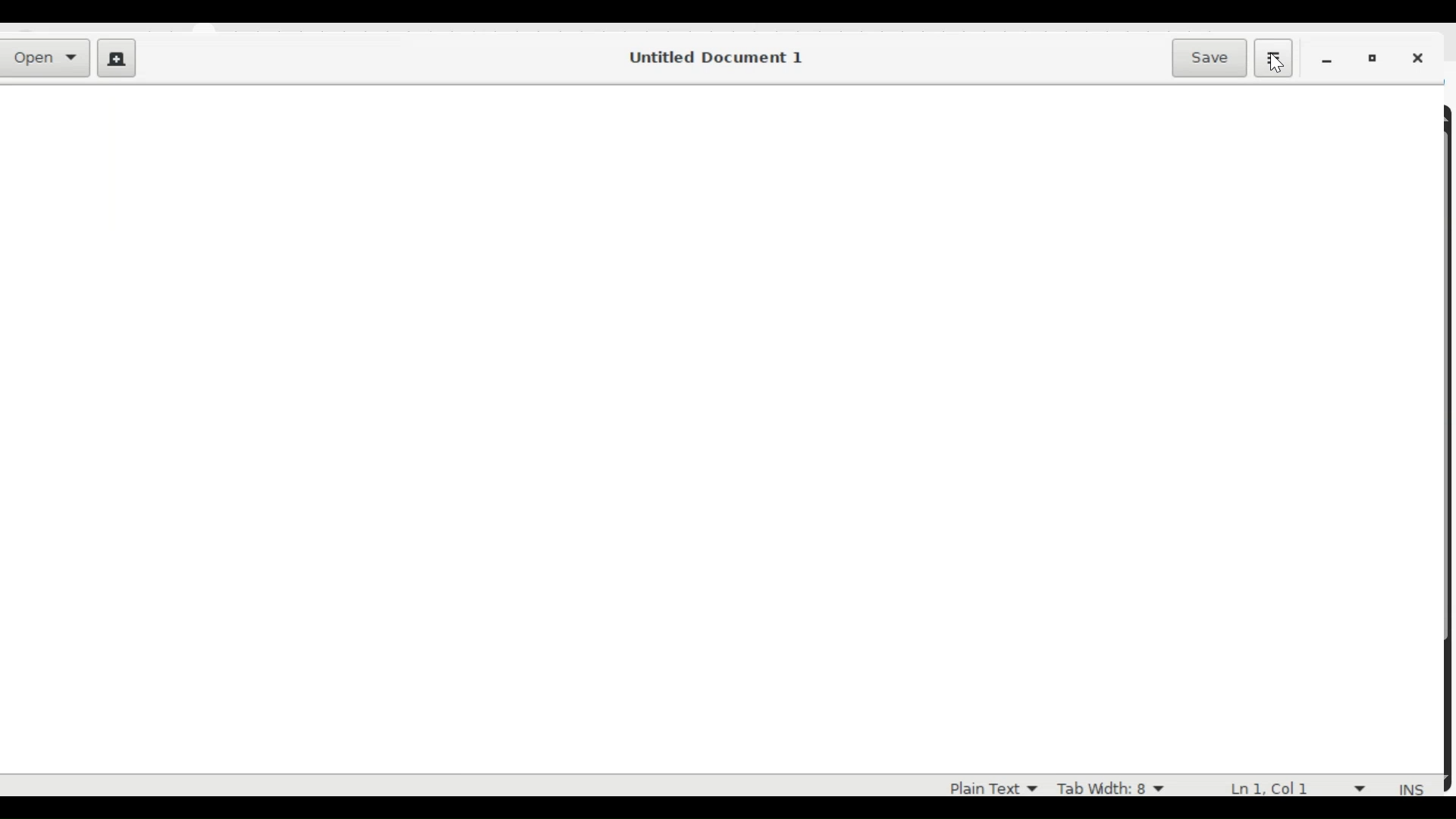  What do you see at coordinates (1376, 59) in the screenshot?
I see `Restore` at bounding box center [1376, 59].